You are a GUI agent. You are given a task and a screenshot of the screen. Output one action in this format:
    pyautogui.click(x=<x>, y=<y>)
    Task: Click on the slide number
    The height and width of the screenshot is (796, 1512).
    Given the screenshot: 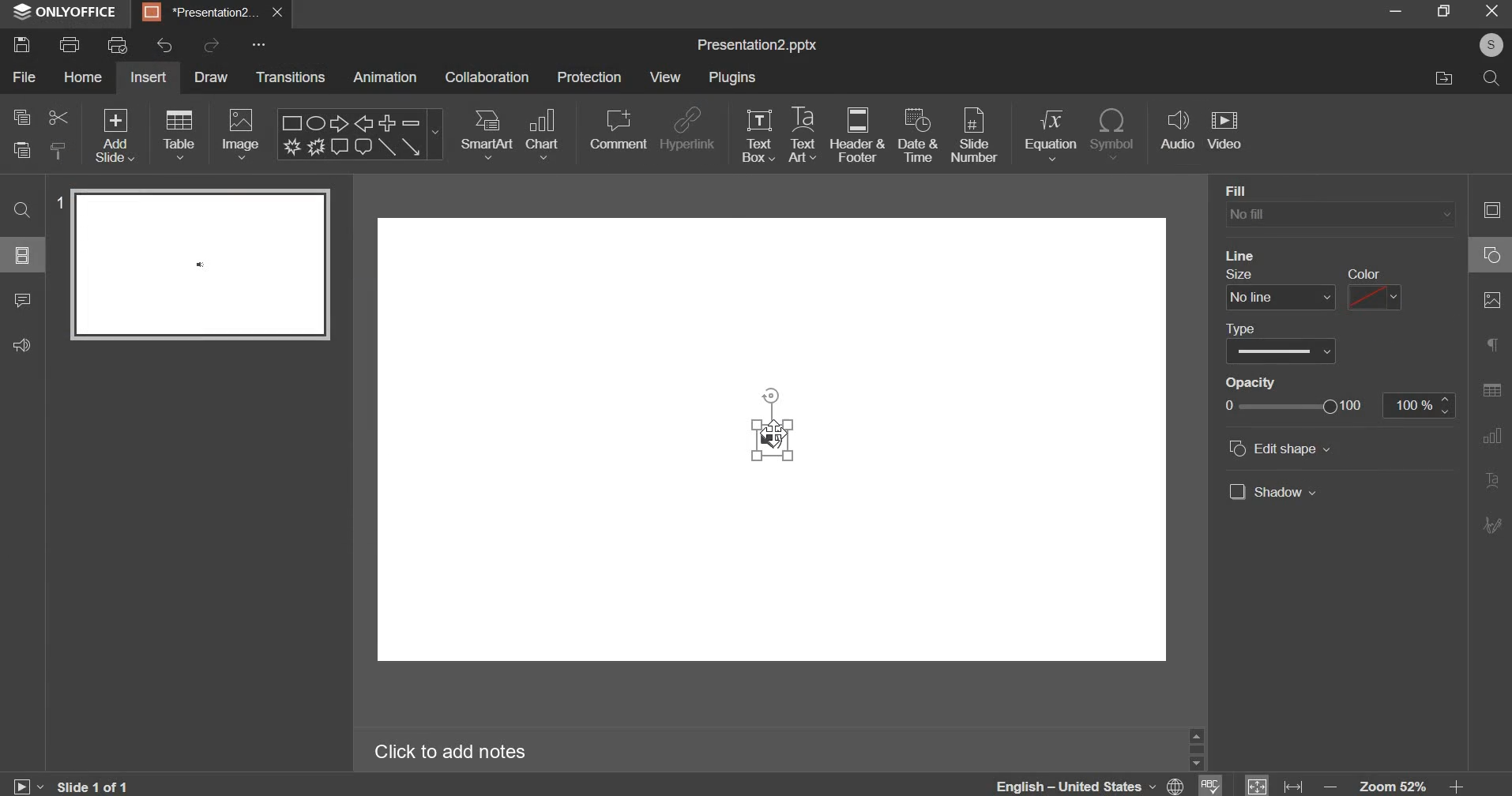 What is the action you would take?
    pyautogui.click(x=58, y=202)
    